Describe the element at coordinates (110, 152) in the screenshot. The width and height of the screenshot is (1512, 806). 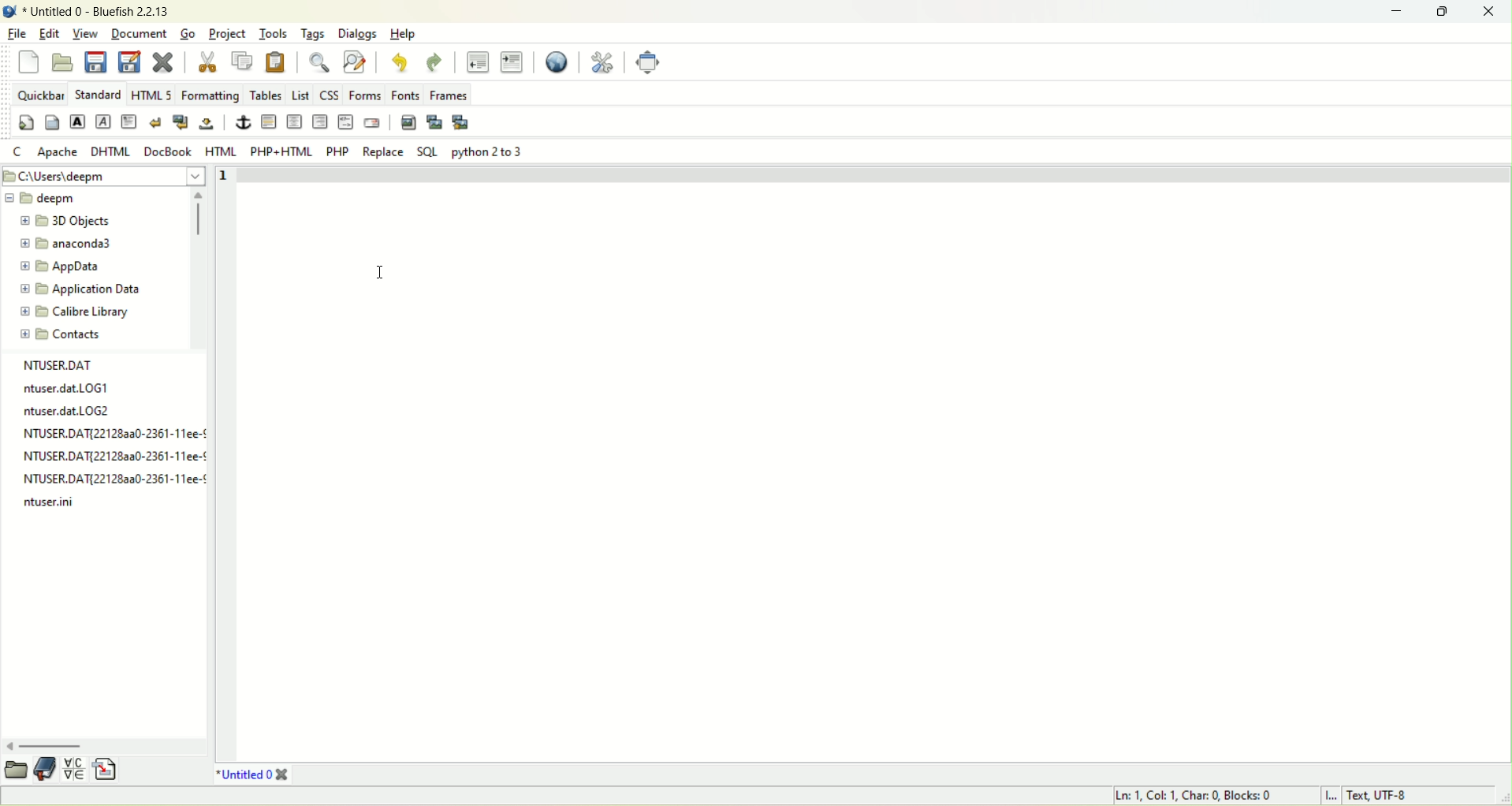
I see `DHTML` at that location.